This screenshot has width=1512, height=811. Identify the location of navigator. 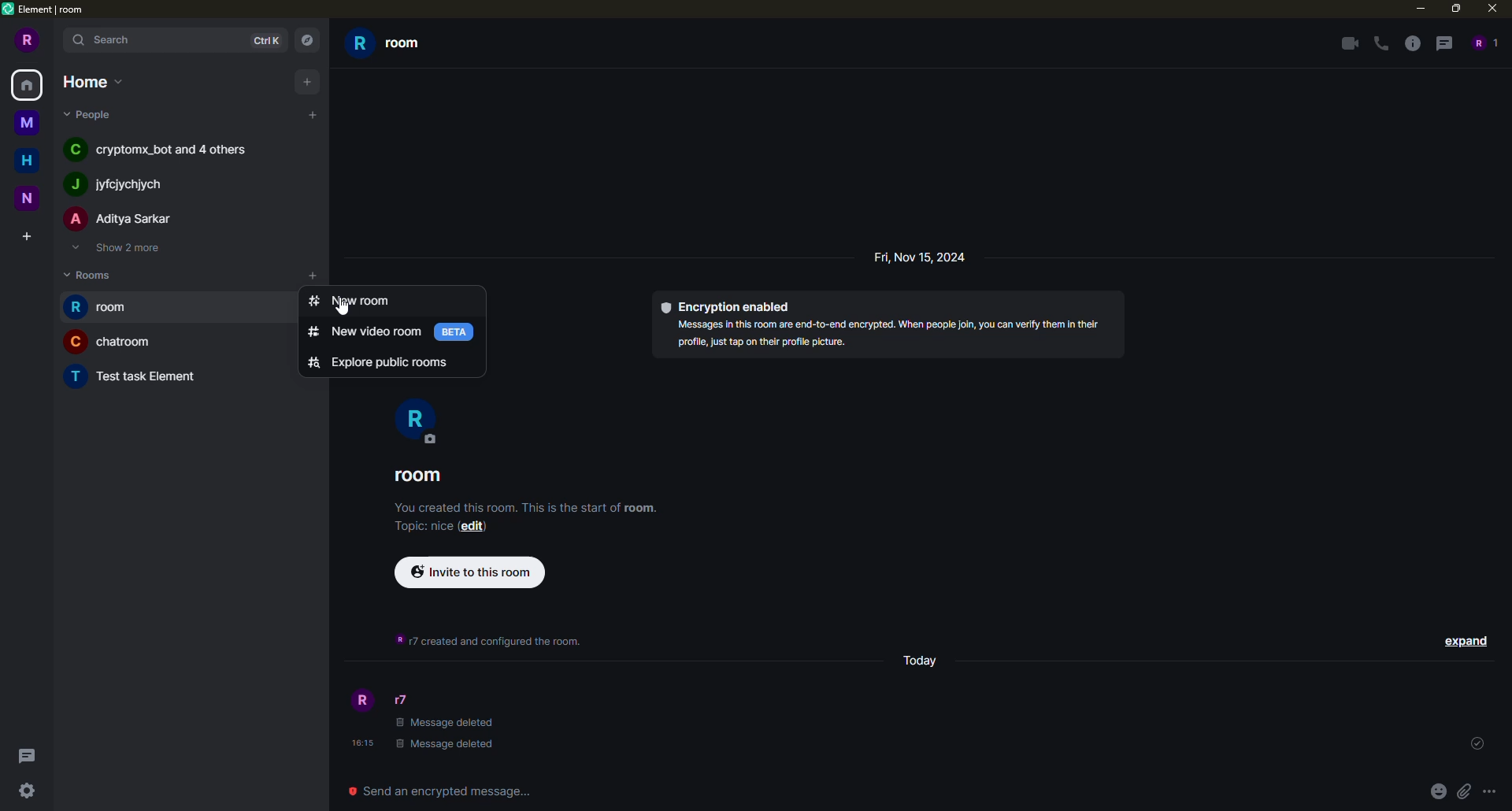
(308, 41).